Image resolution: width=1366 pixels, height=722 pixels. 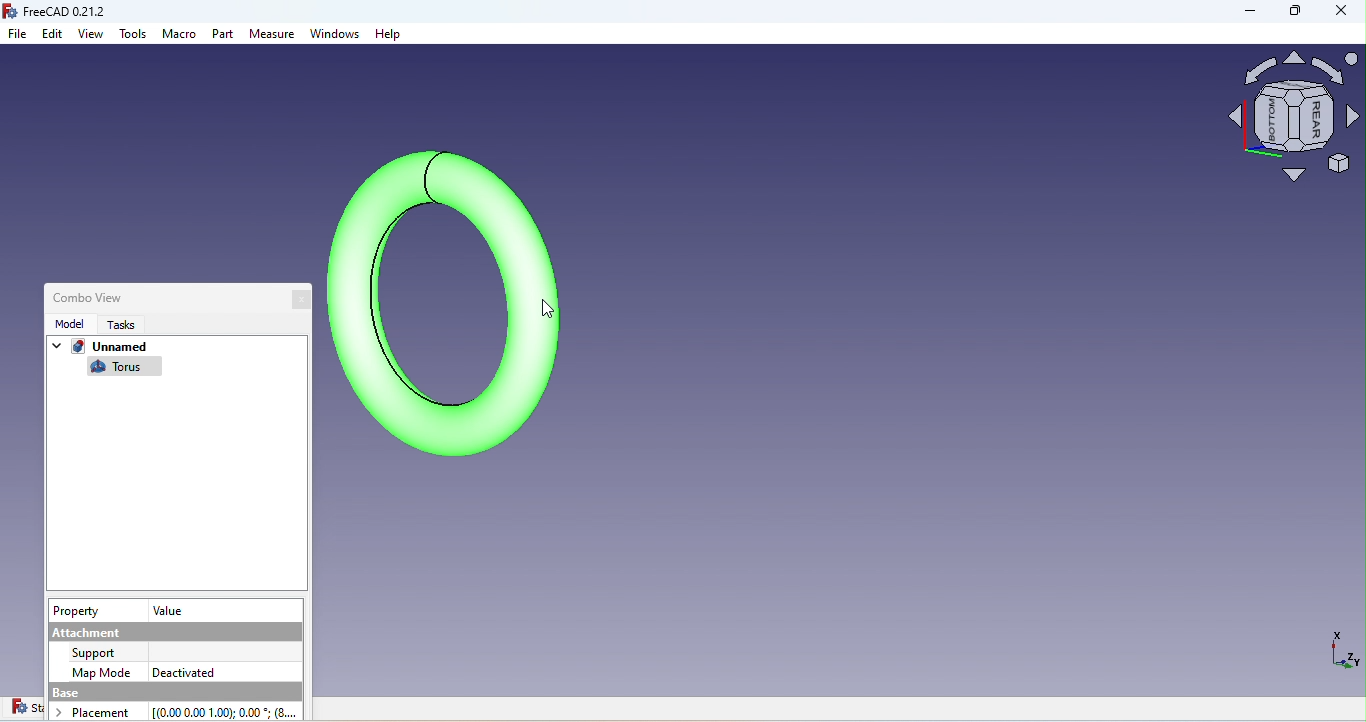 I want to click on Property, so click(x=80, y=611).